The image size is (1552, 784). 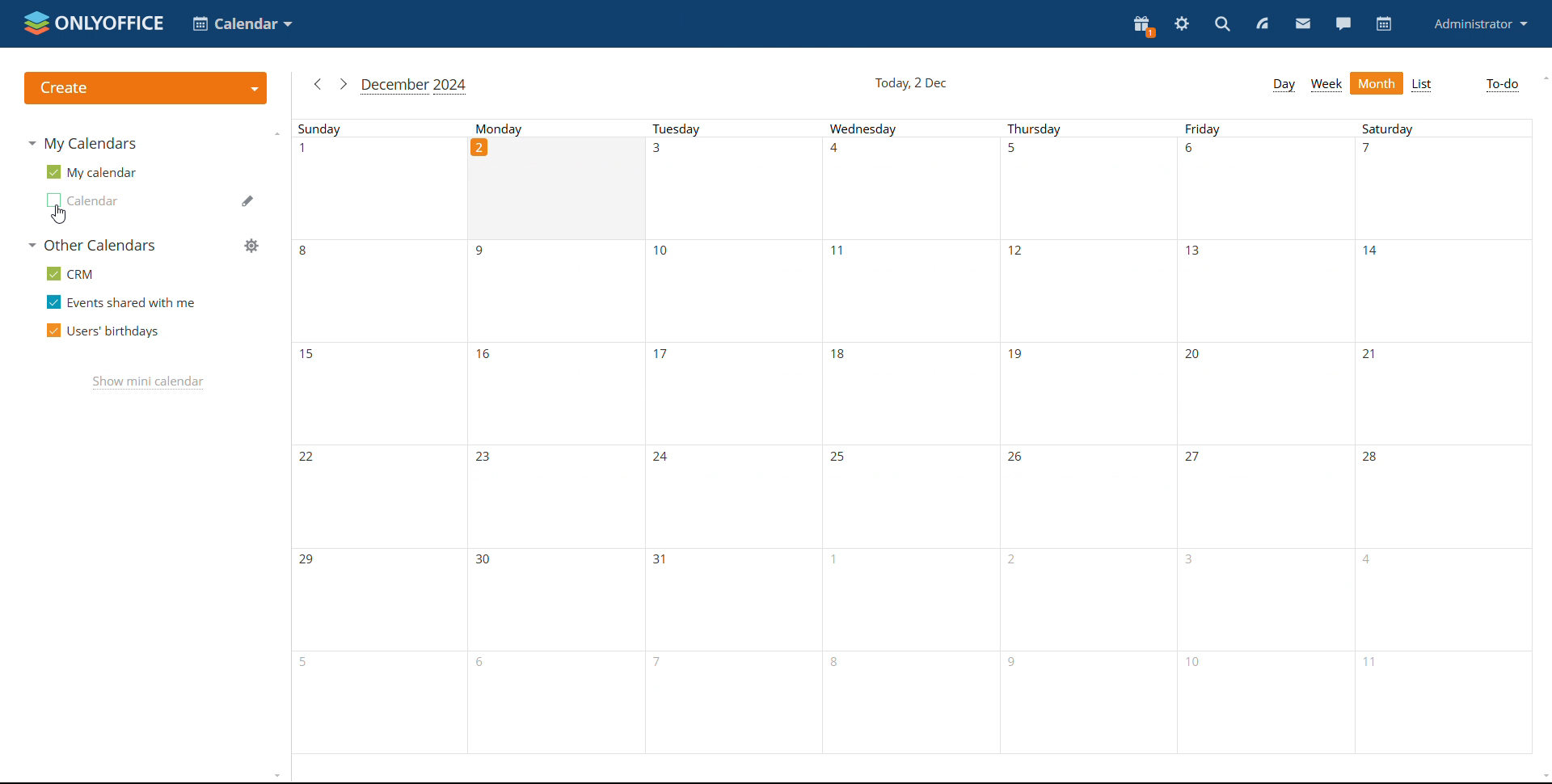 What do you see at coordinates (1443, 291) in the screenshot?
I see `14` at bounding box center [1443, 291].